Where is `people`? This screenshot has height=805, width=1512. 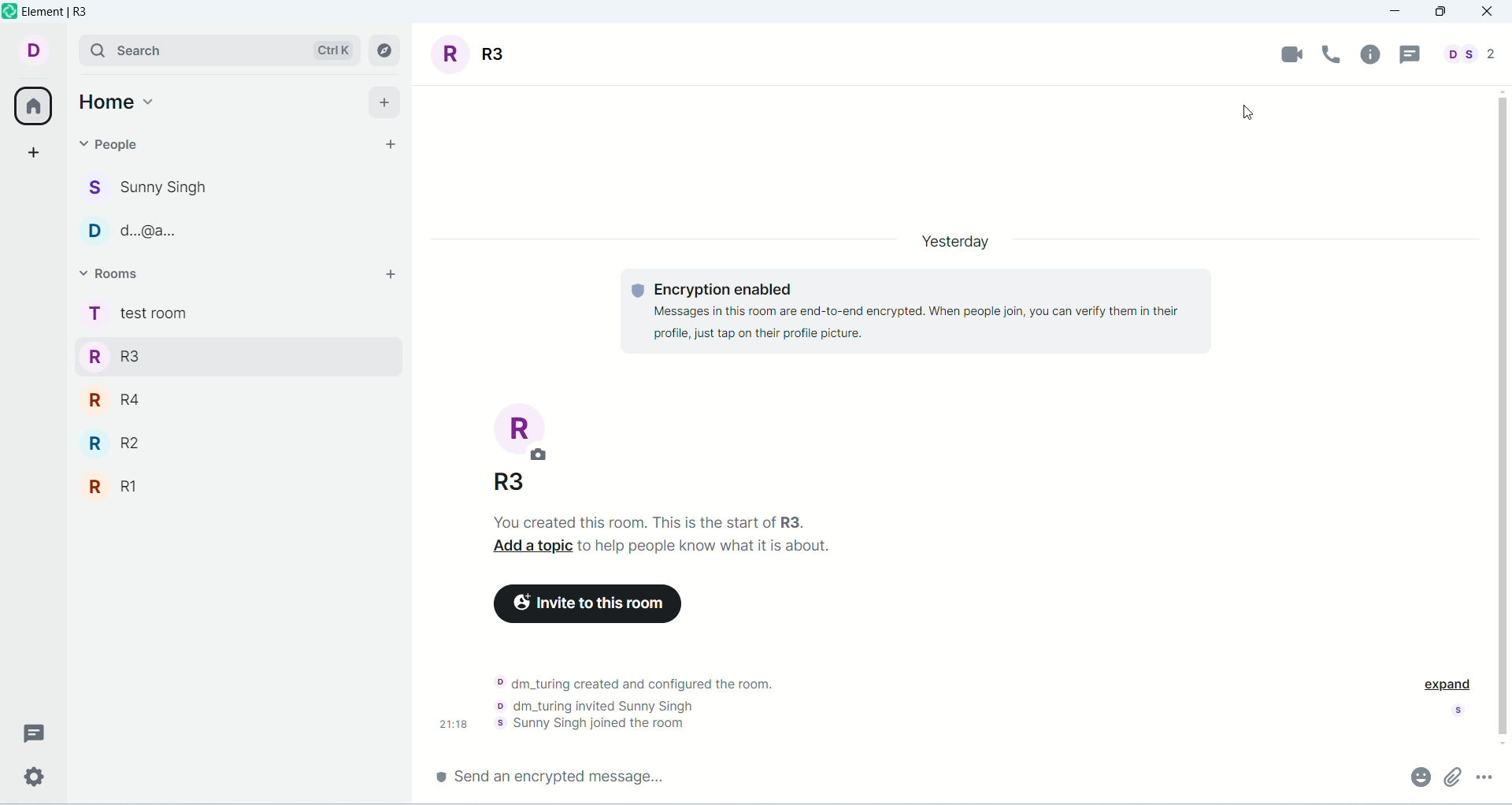 people is located at coordinates (146, 232).